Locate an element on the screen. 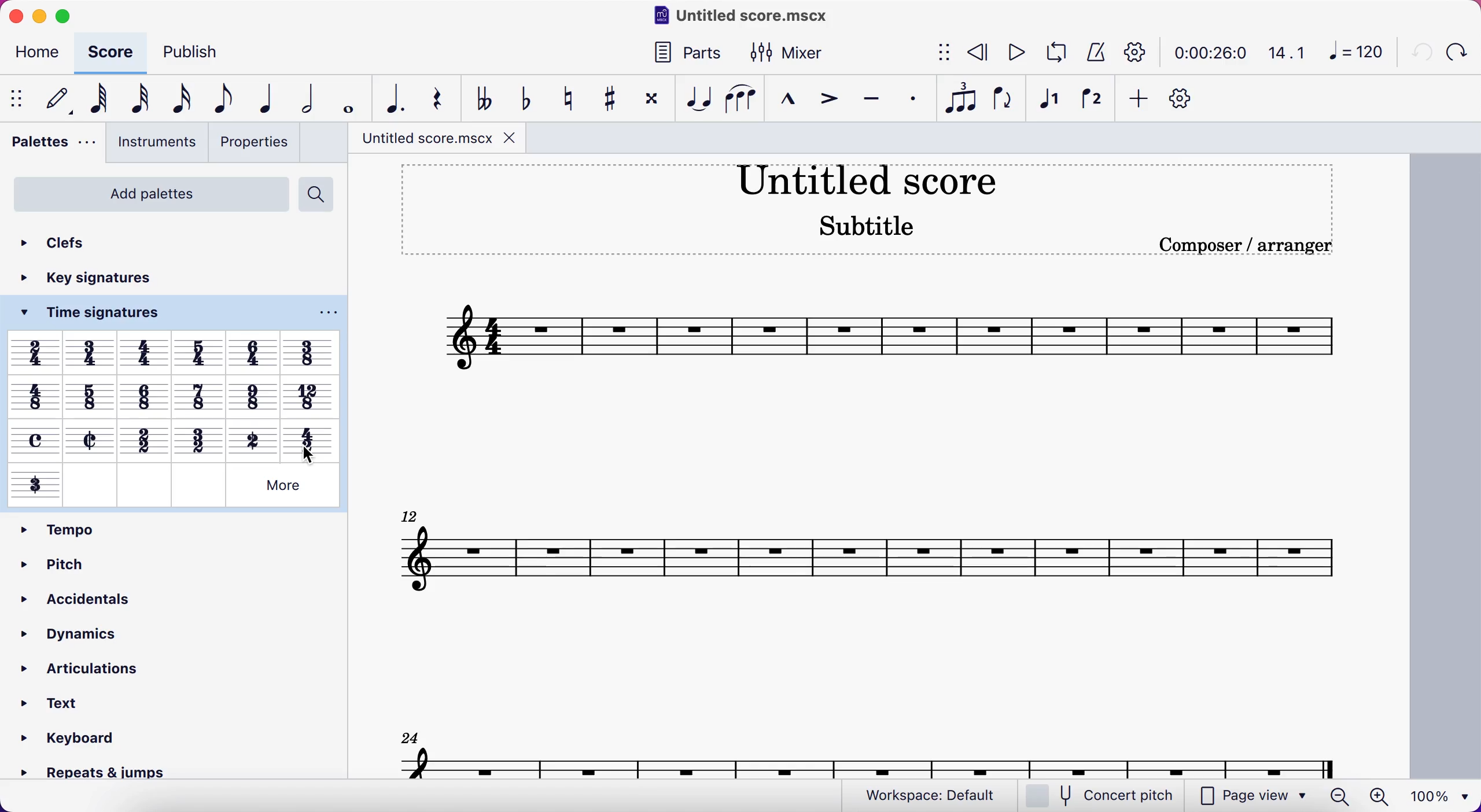 This screenshot has height=812, width=1481.  is located at coordinates (310, 394).